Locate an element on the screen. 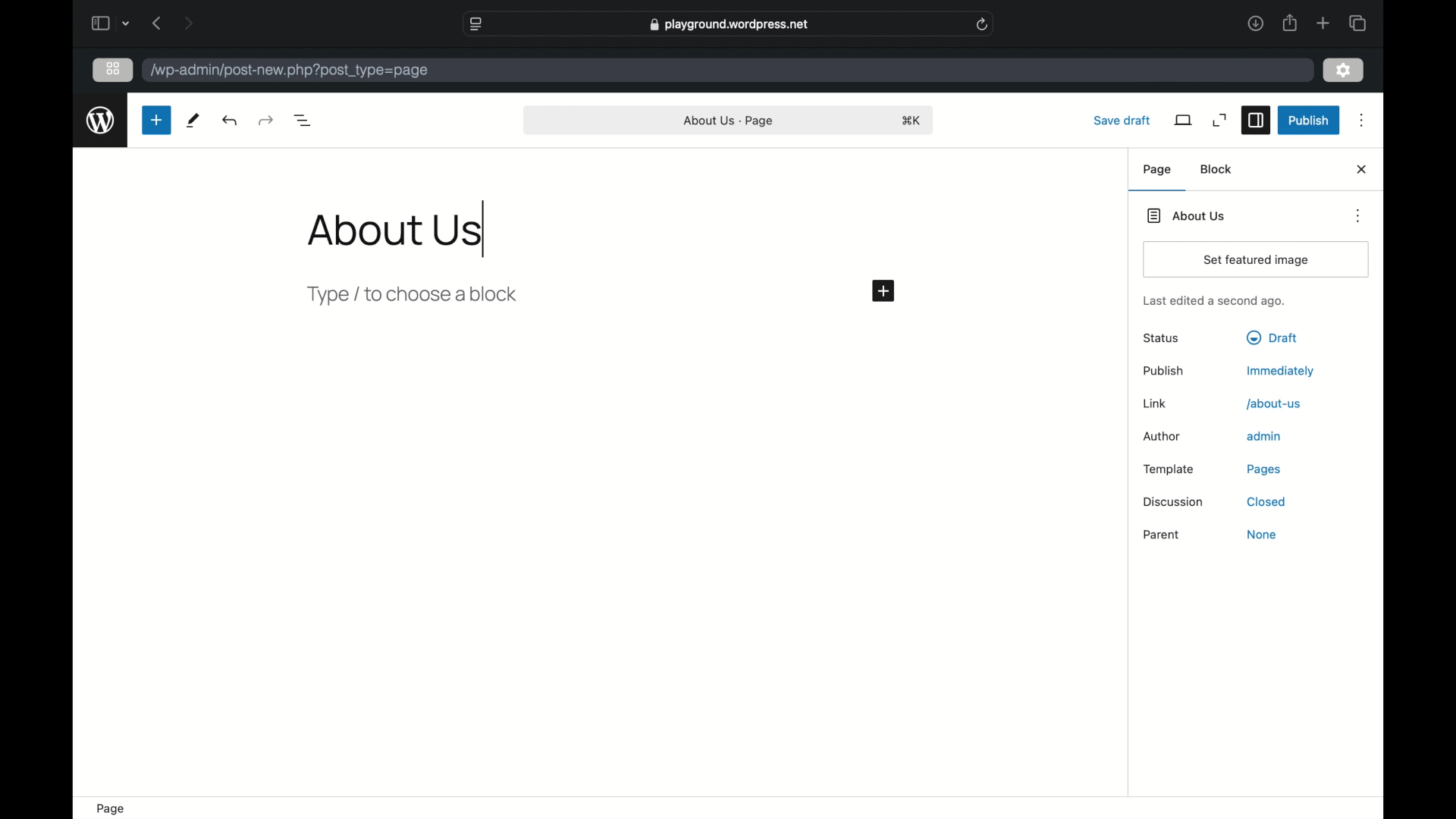  about us is located at coordinates (396, 231).